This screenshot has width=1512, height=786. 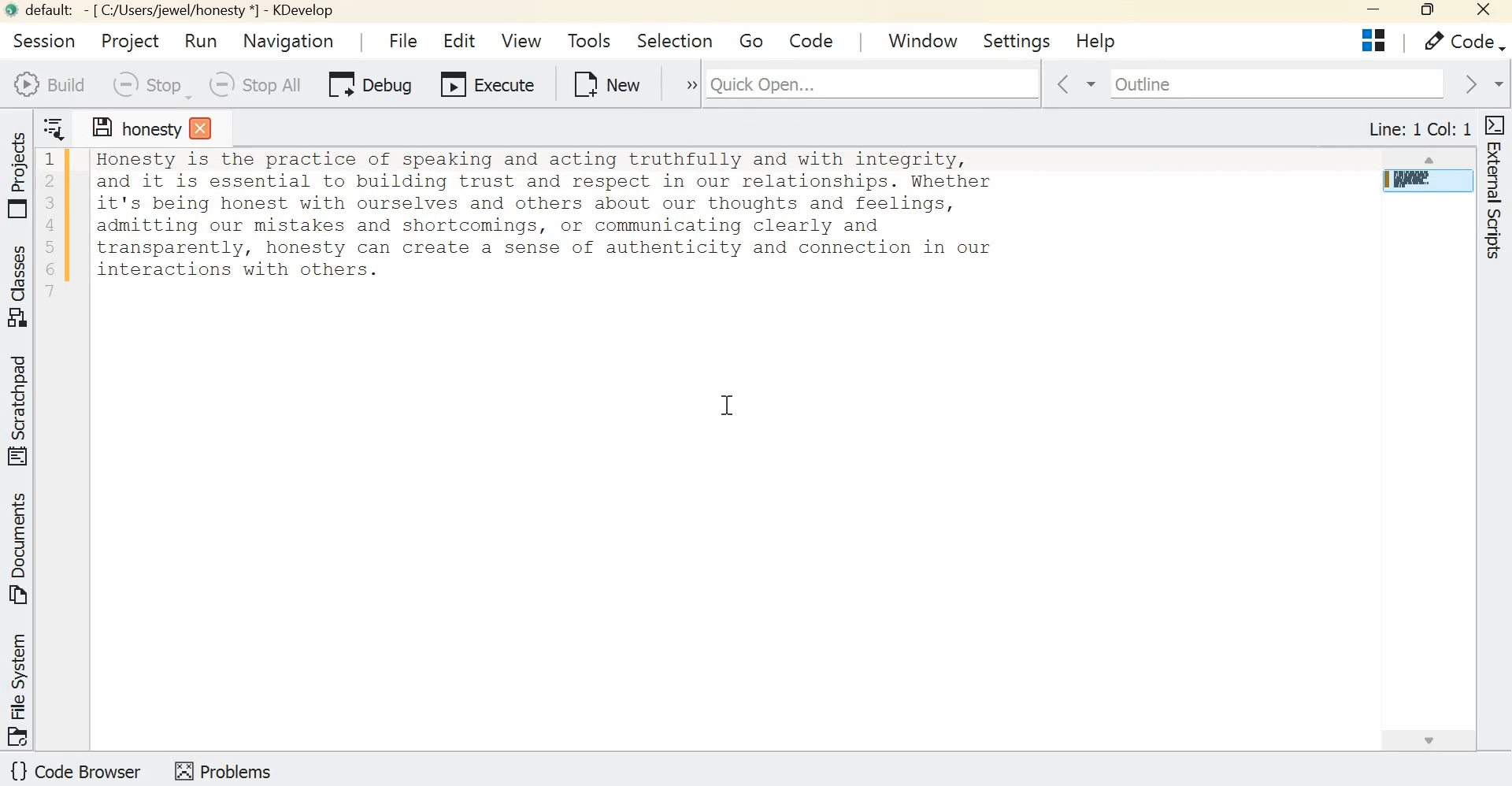 I want to click on Build Selection, so click(x=49, y=84).